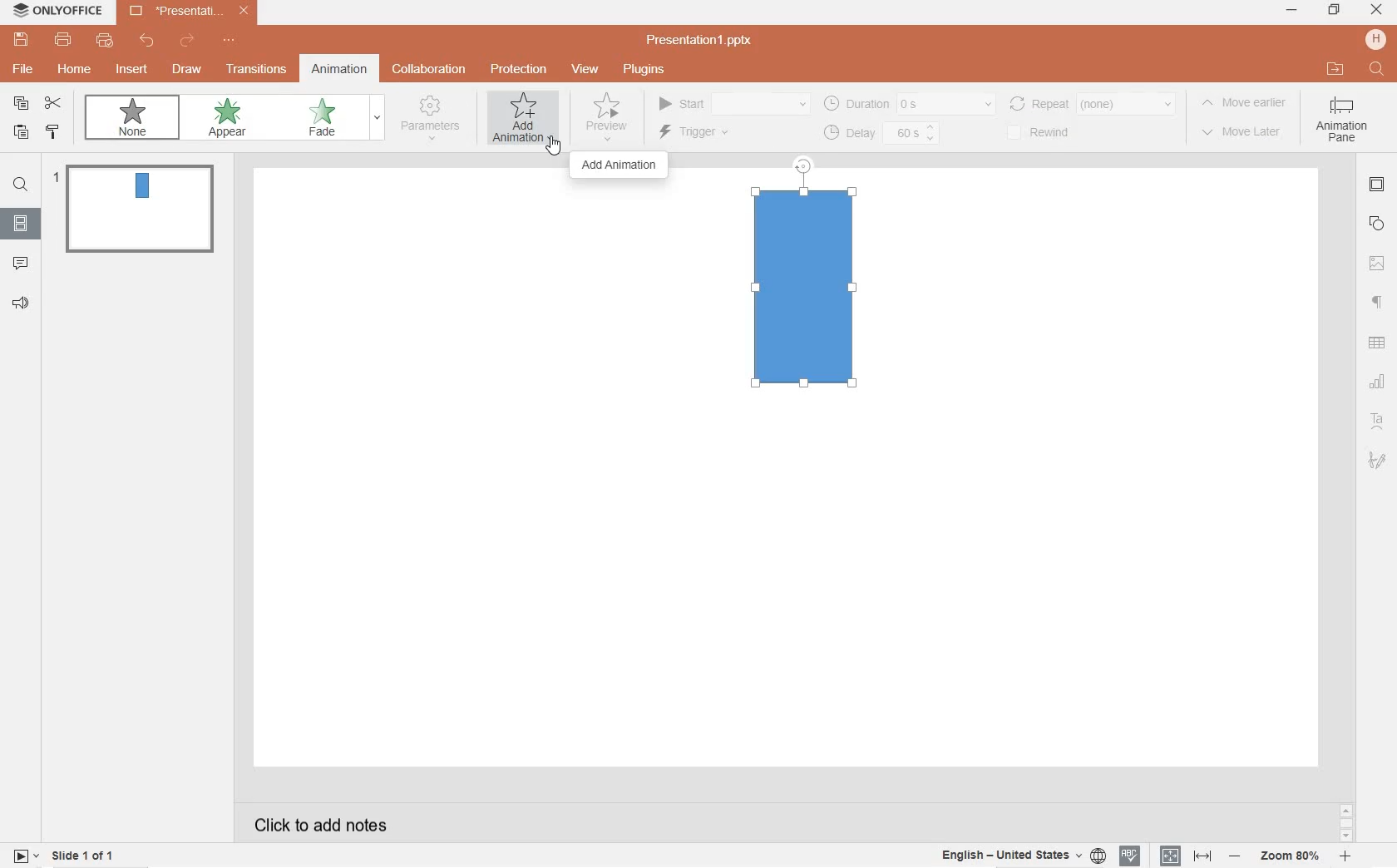 This screenshot has height=868, width=1397. I want to click on spell checking, so click(1129, 856).